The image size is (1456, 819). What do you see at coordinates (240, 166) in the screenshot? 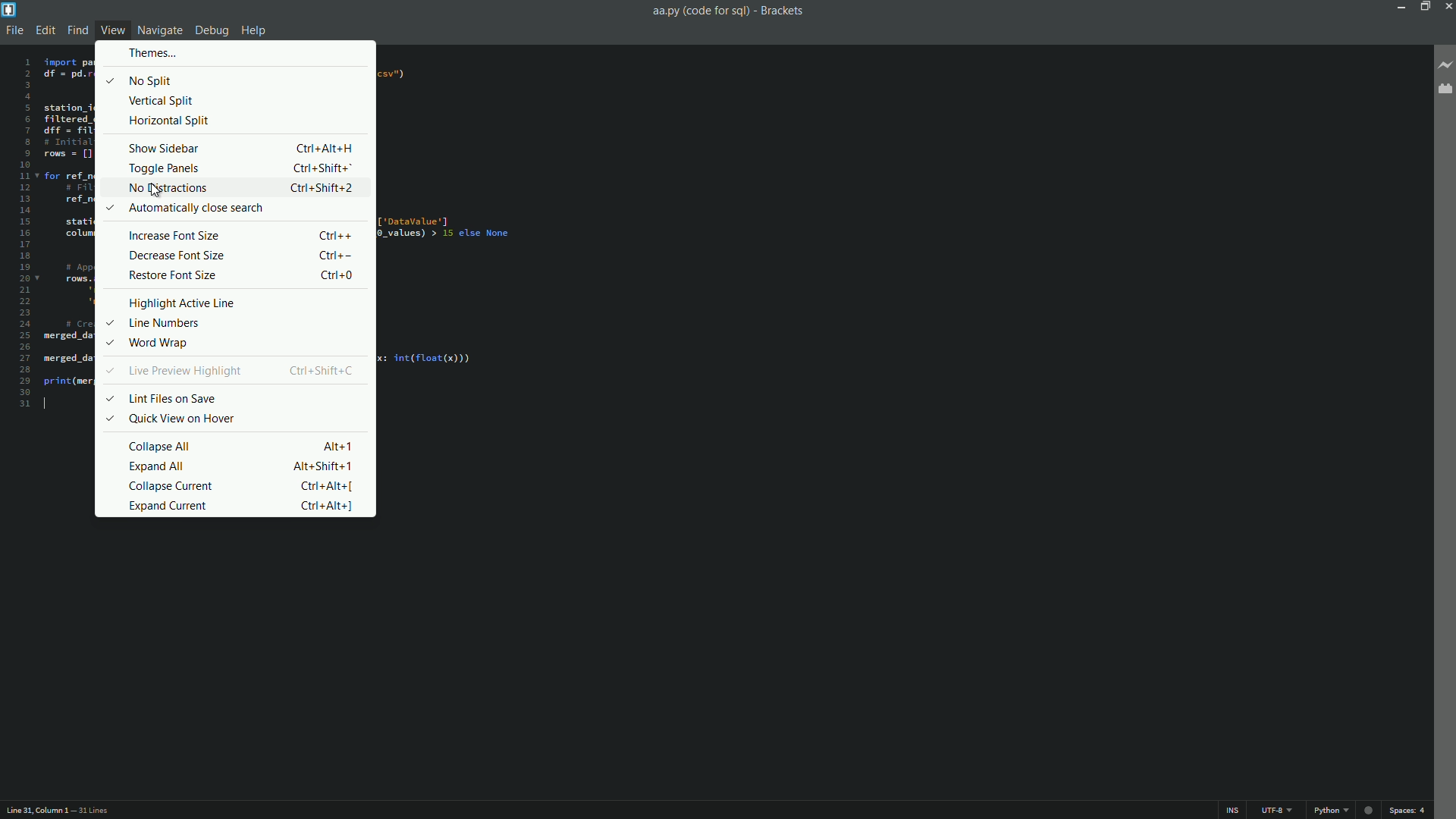
I see `toggle panels Ctrl + Shift + 1` at bounding box center [240, 166].